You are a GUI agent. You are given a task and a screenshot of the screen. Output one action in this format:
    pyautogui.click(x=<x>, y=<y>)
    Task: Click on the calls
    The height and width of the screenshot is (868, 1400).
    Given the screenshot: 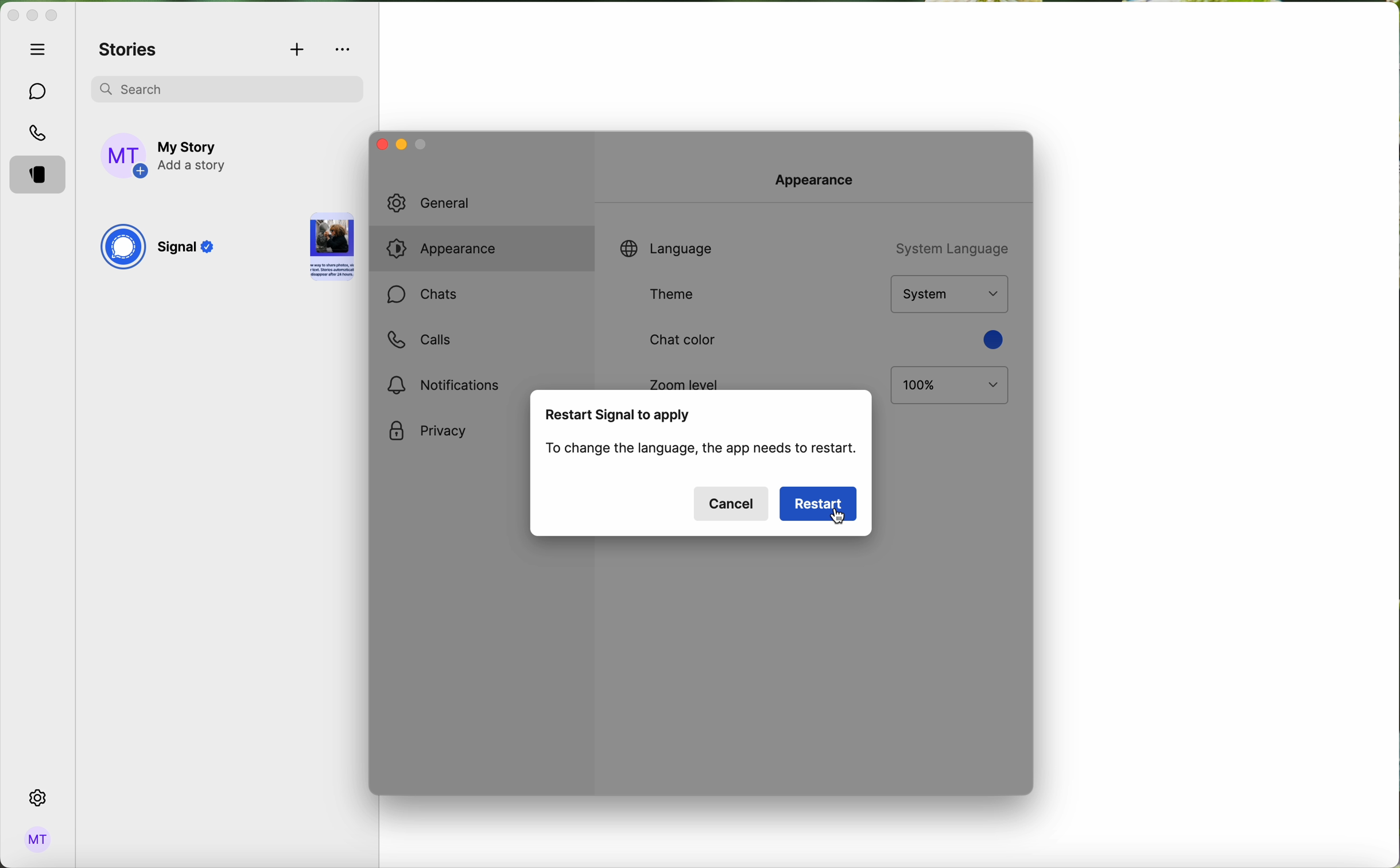 What is the action you would take?
    pyautogui.click(x=418, y=340)
    